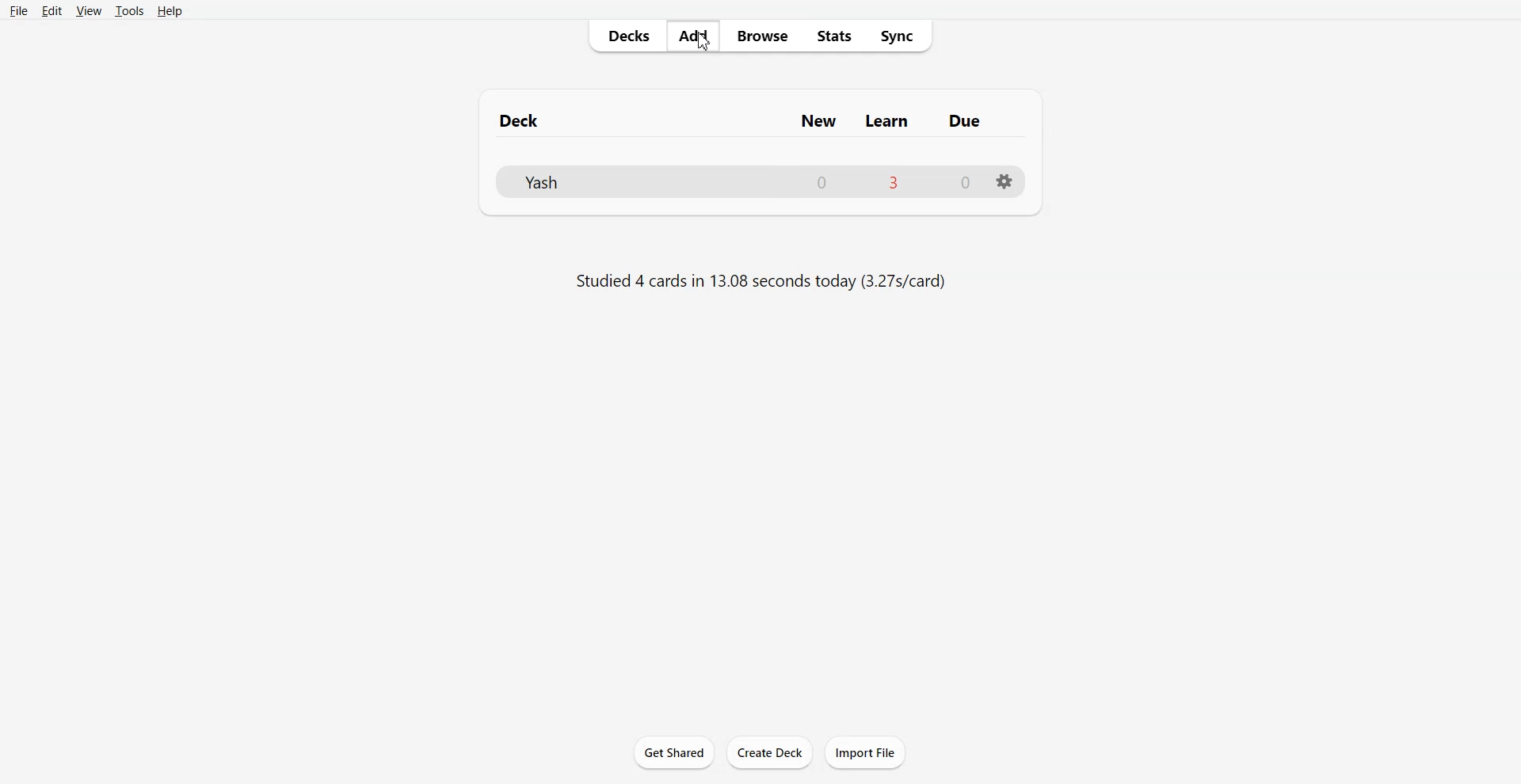  What do you see at coordinates (770, 752) in the screenshot?
I see `Create Deck` at bounding box center [770, 752].